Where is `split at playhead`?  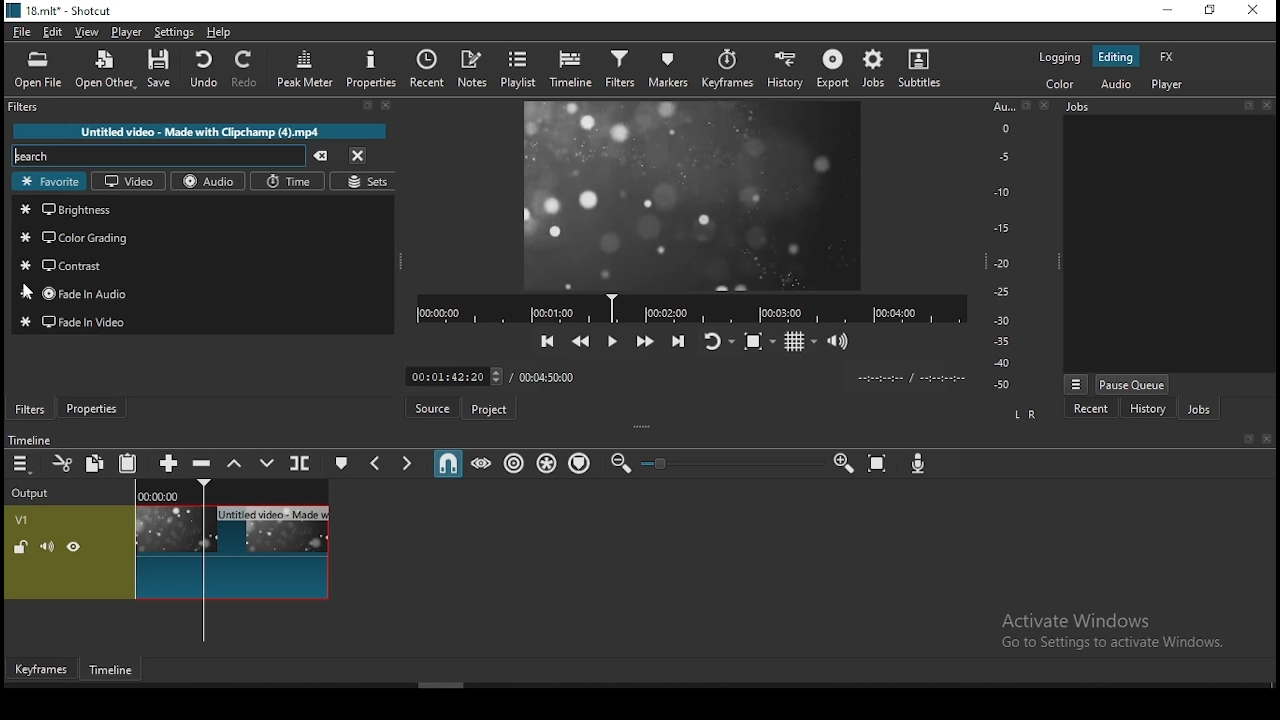
split at playhead is located at coordinates (301, 462).